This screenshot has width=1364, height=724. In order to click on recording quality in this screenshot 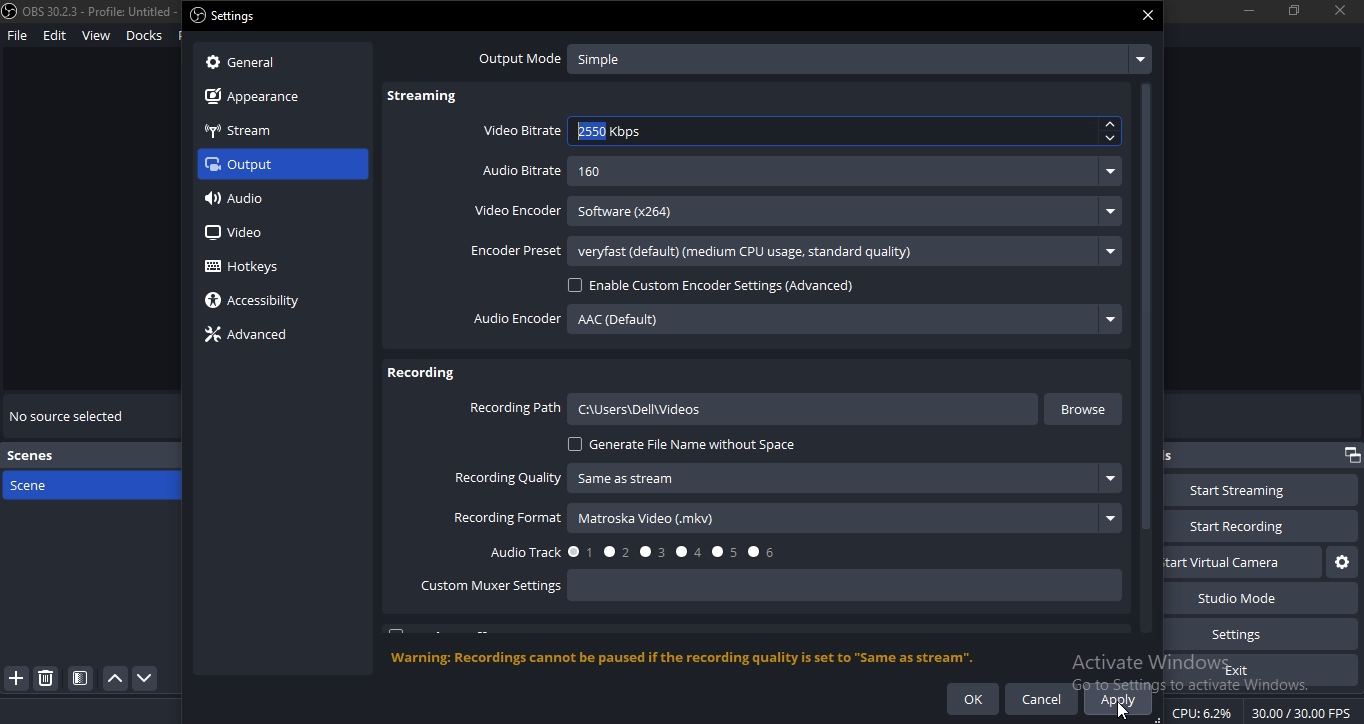, I will do `click(507, 477)`.